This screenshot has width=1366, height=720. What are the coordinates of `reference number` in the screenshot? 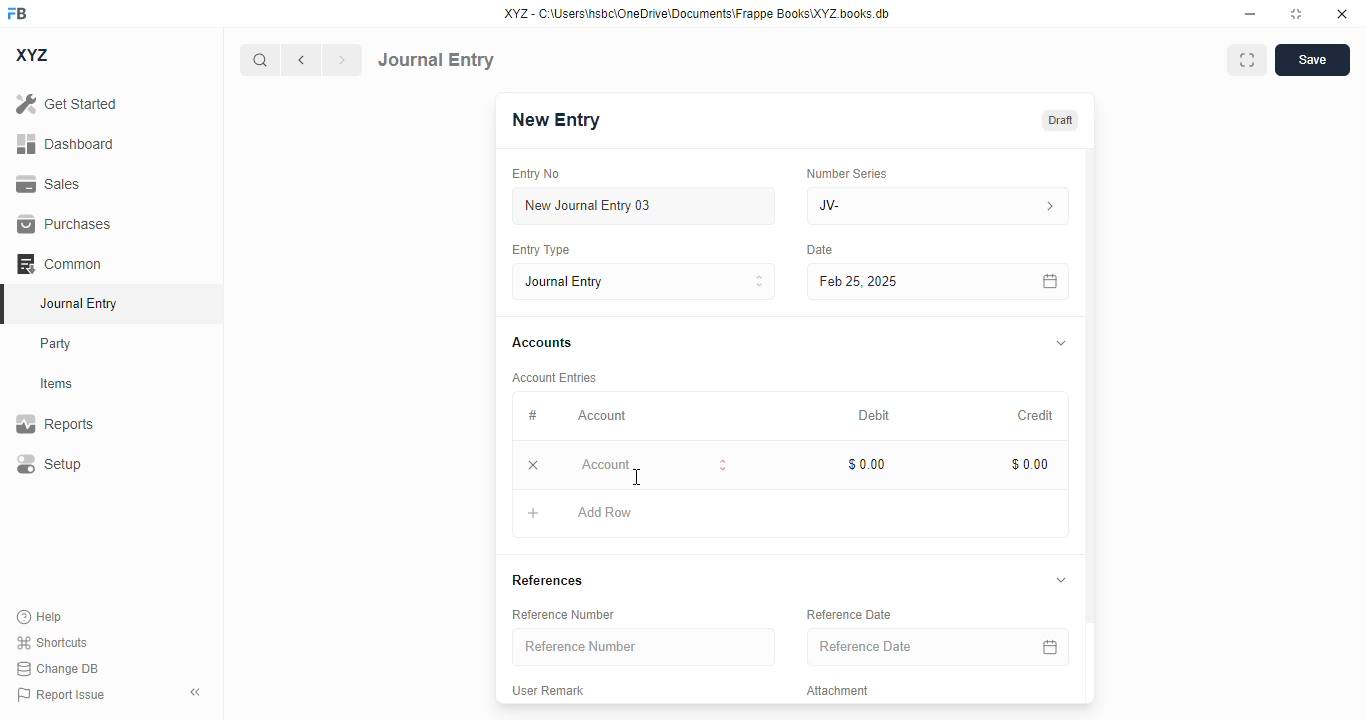 It's located at (563, 615).